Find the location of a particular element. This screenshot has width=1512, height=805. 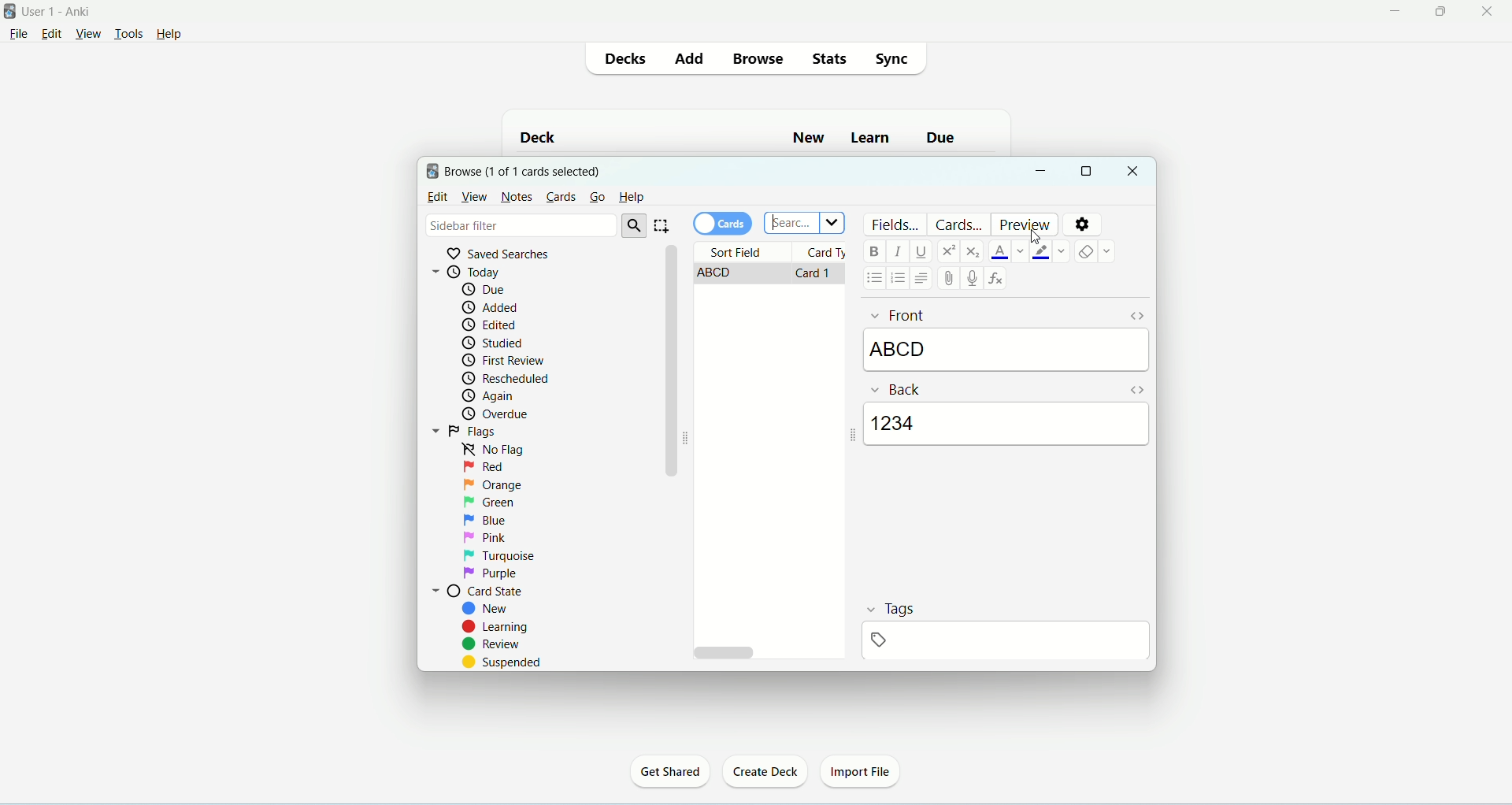

get shared is located at coordinates (669, 771).